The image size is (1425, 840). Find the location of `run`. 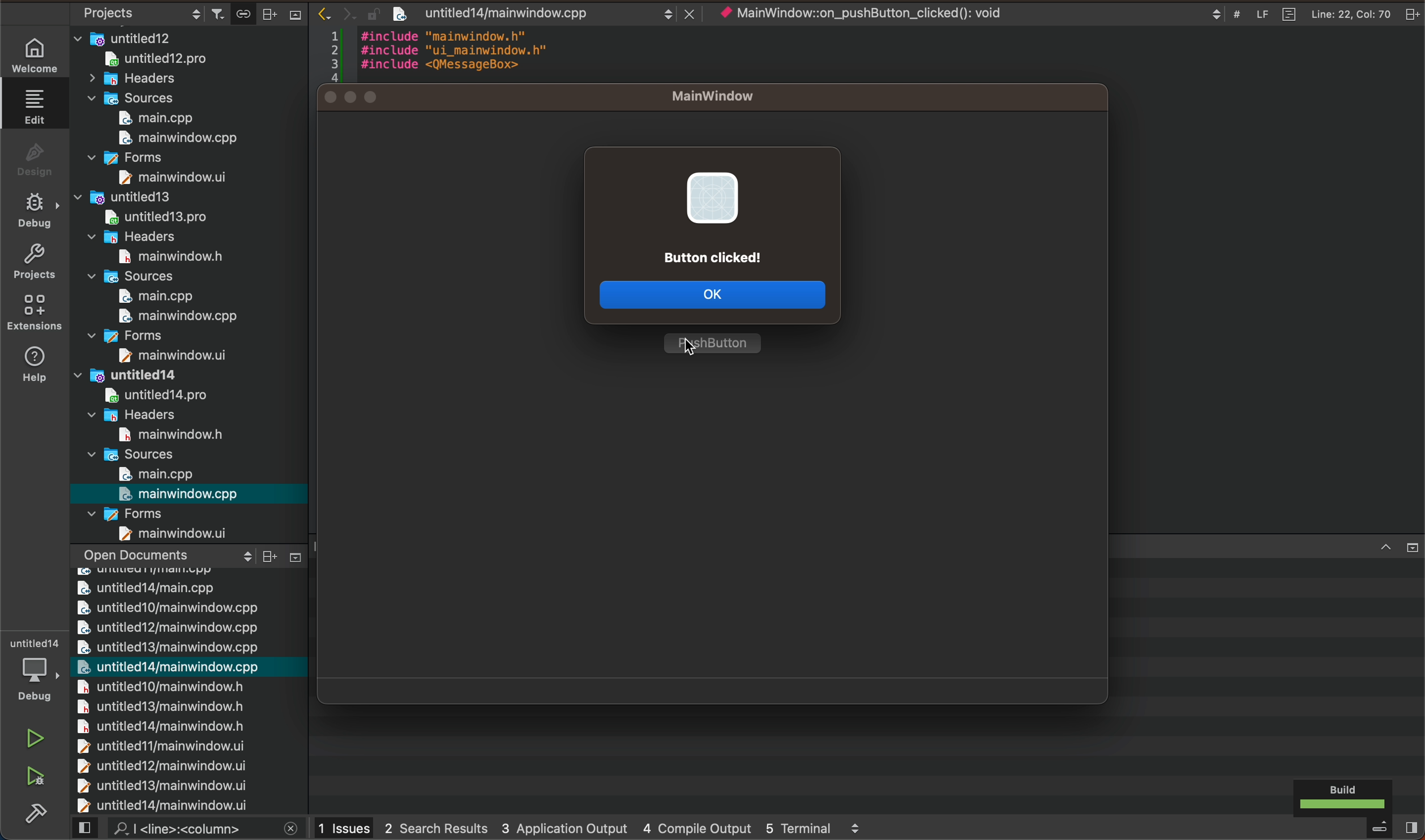

run is located at coordinates (33, 738).